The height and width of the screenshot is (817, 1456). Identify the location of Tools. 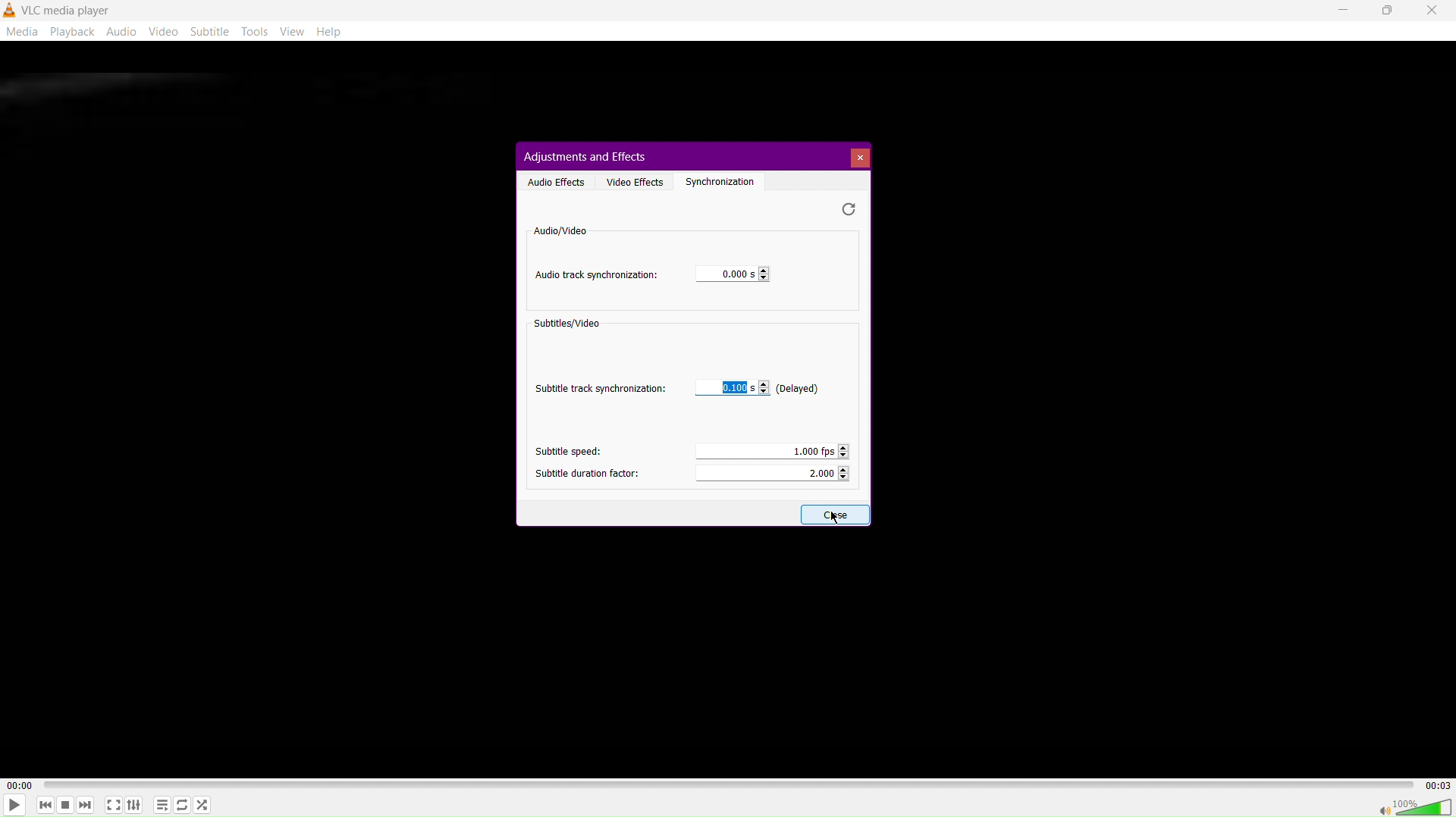
(257, 33).